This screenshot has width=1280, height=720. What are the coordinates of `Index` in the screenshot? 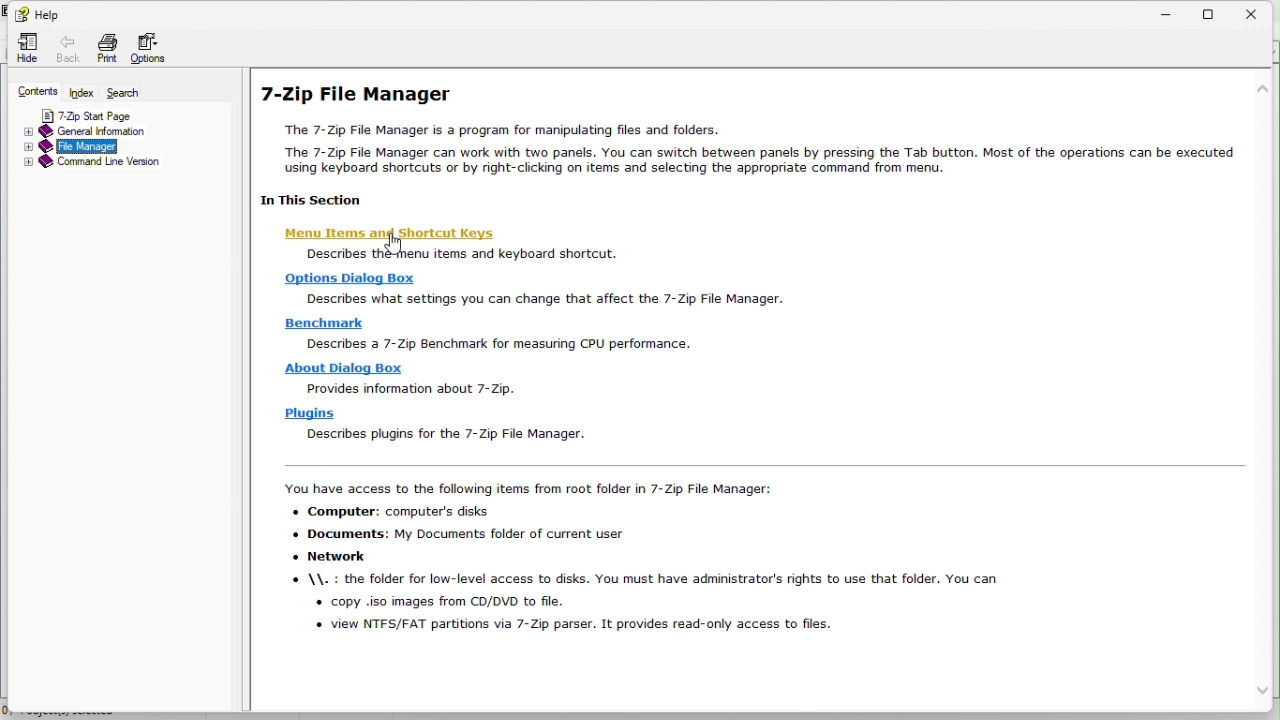 It's located at (83, 91).